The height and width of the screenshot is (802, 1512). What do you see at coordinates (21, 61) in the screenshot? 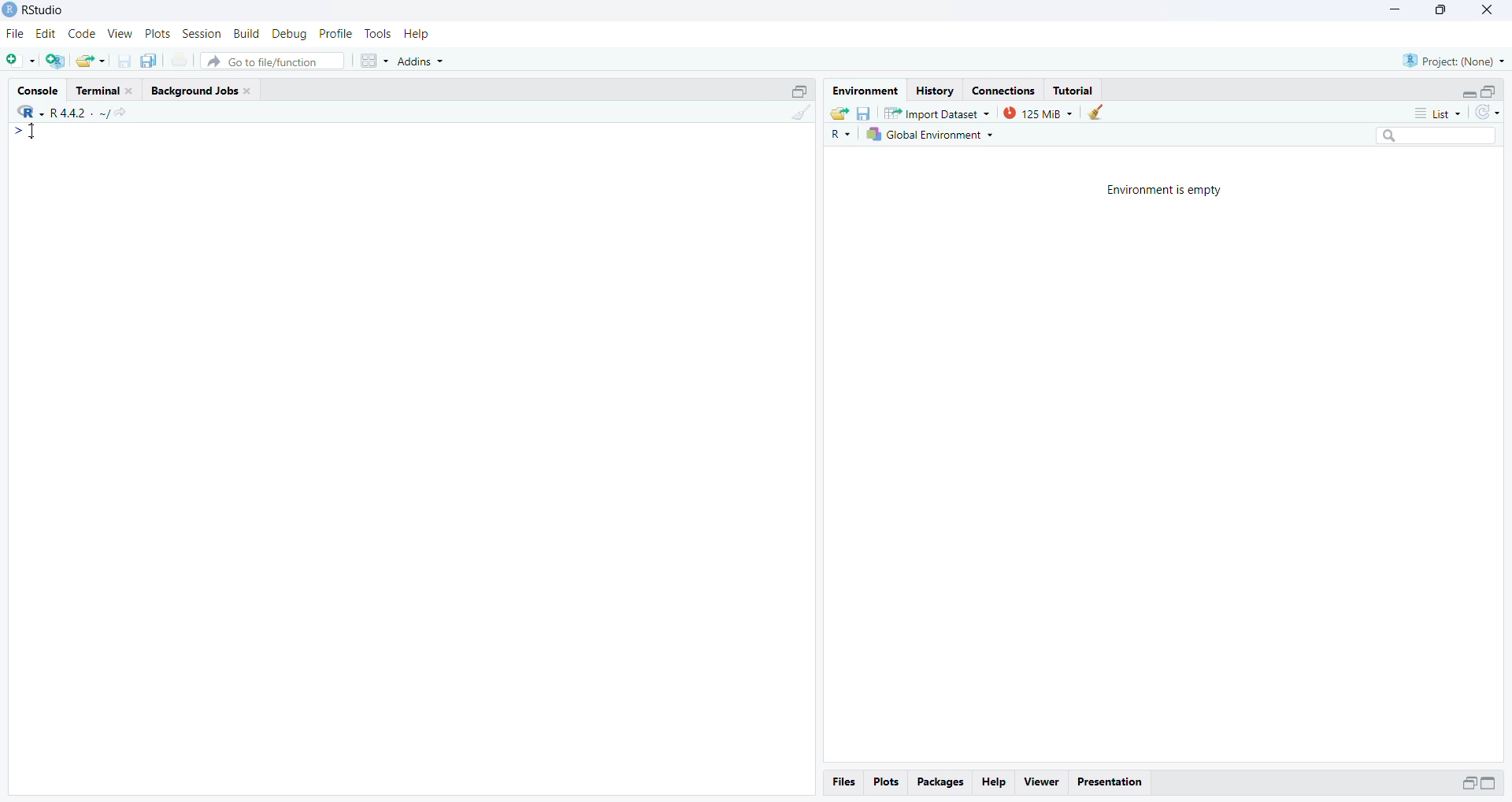
I see `new file` at bounding box center [21, 61].